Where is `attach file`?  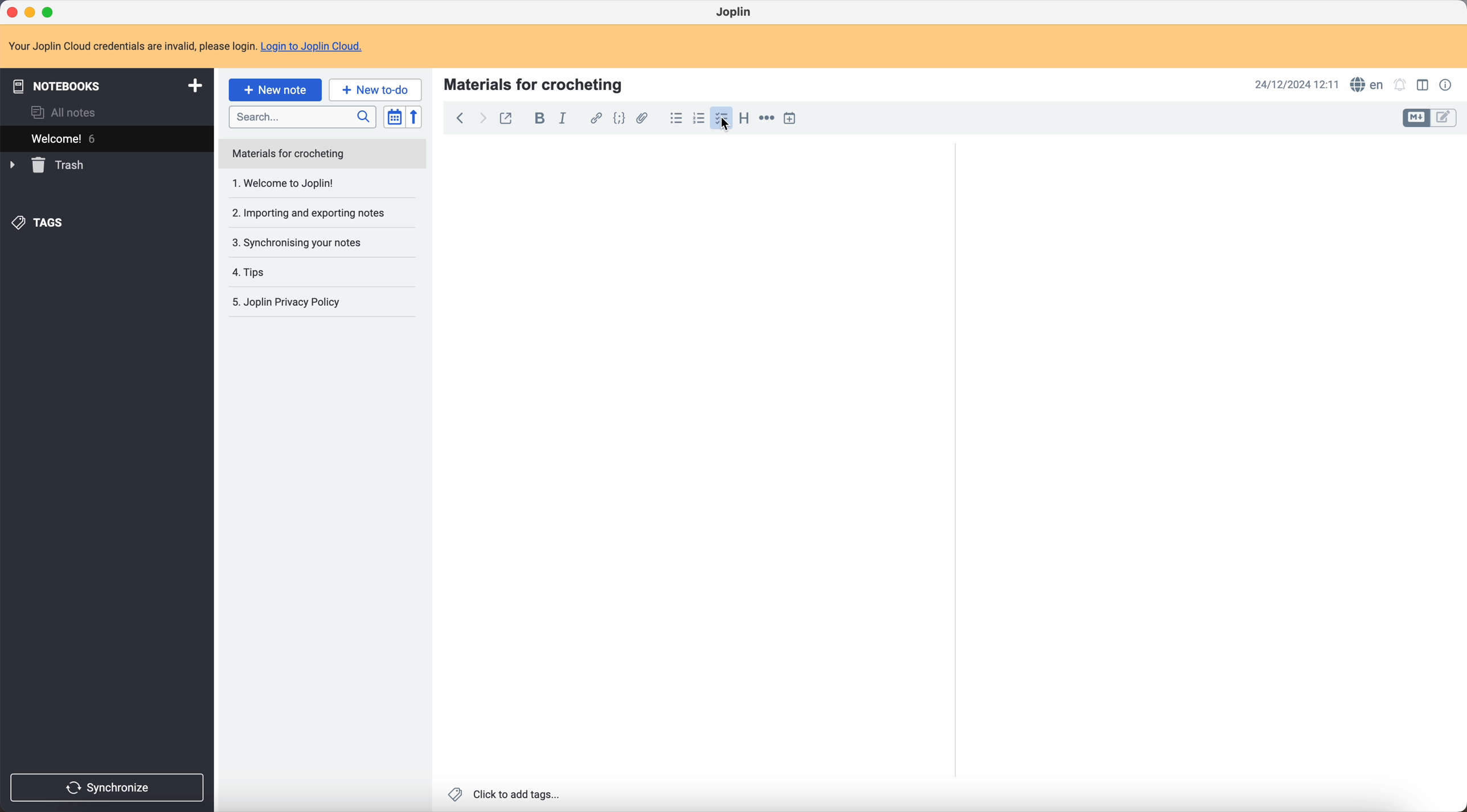
attach file is located at coordinates (645, 118).